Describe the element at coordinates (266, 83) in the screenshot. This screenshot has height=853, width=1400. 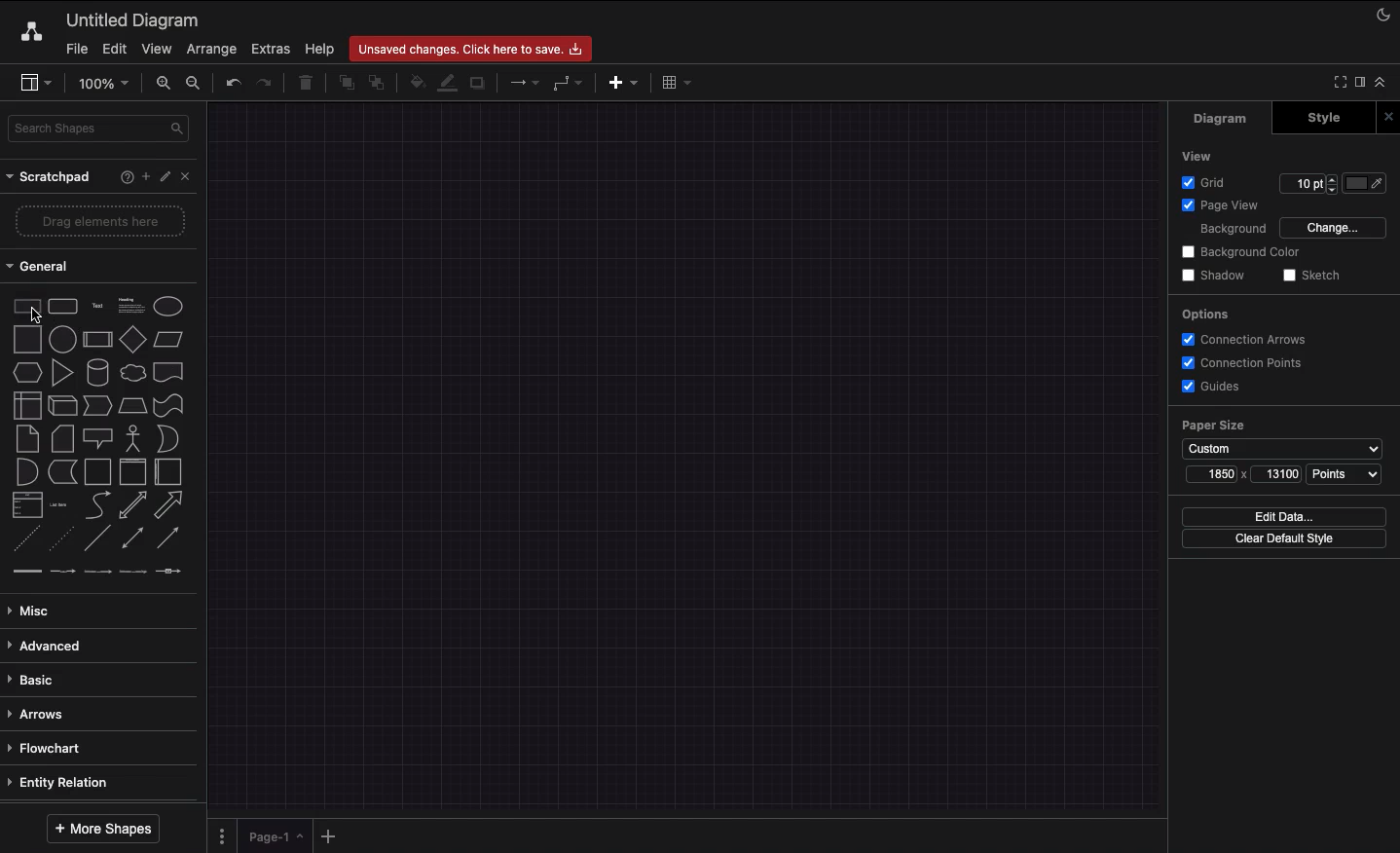
I see `Redo` at that location.